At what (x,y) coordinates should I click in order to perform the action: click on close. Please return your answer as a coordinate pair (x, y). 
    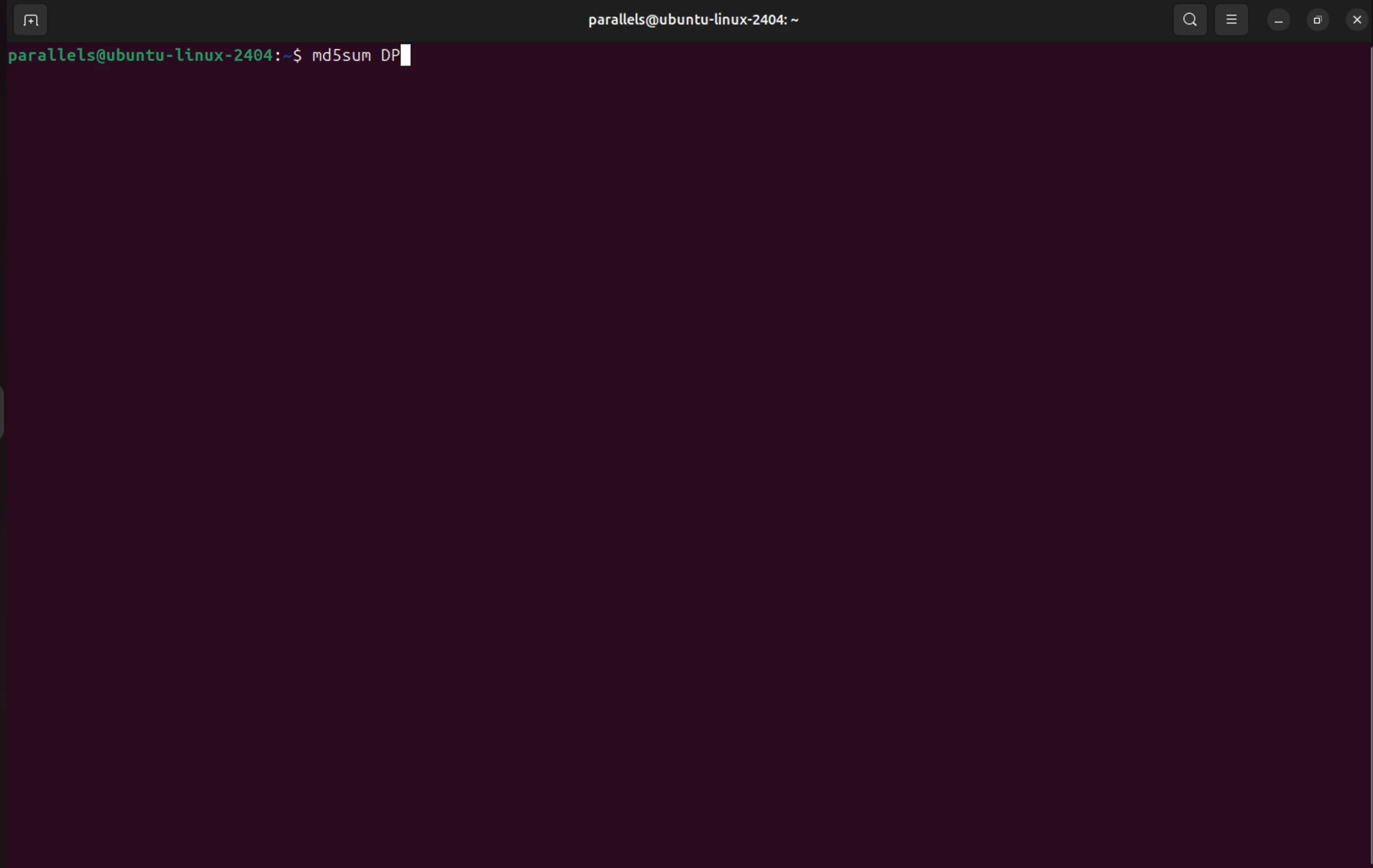
    Looking at the image, I should click on (1354, 19).